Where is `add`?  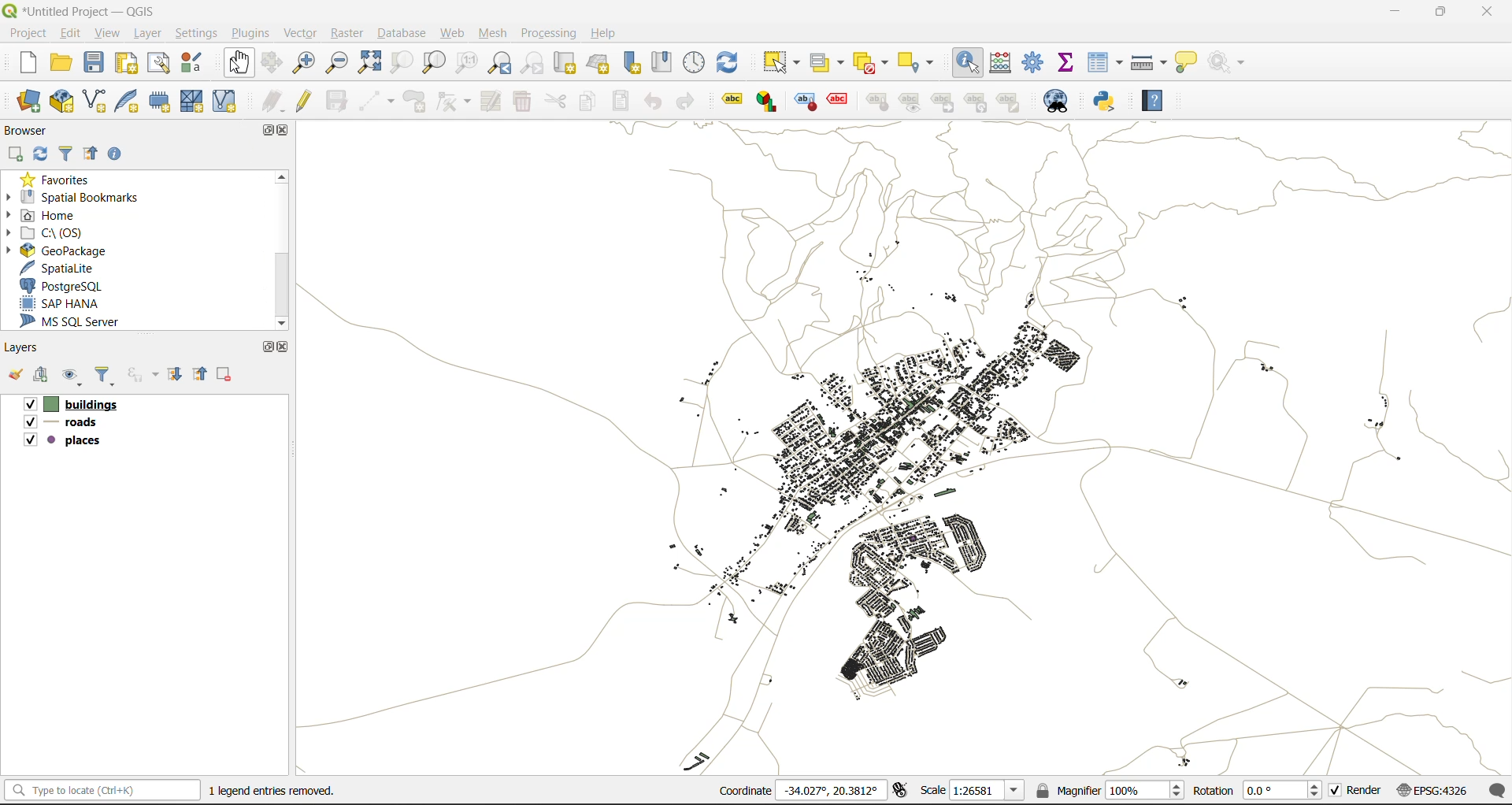 add is located at coordinates (46, 375).